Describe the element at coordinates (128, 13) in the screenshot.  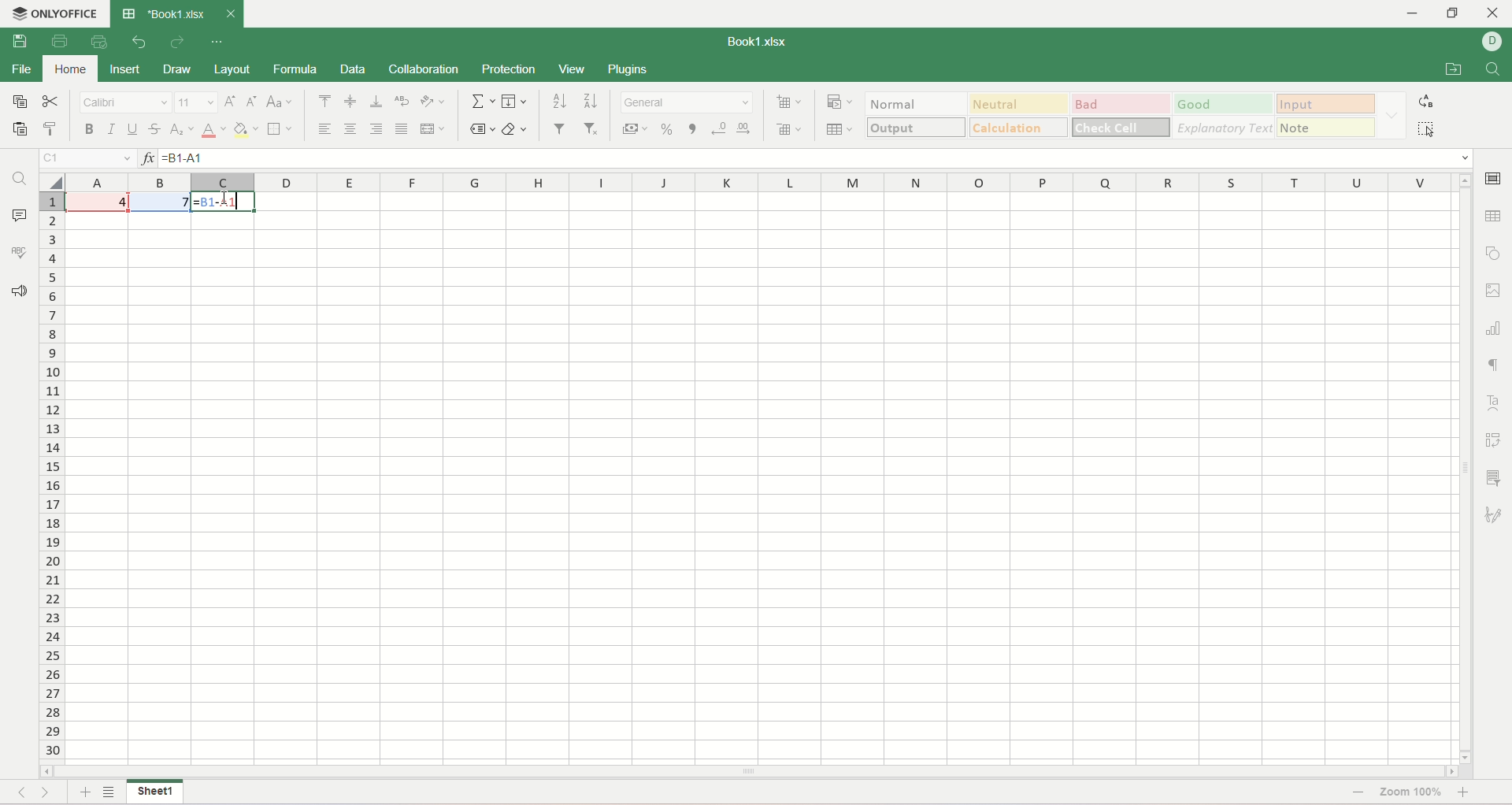
I see `application icon` at that location.